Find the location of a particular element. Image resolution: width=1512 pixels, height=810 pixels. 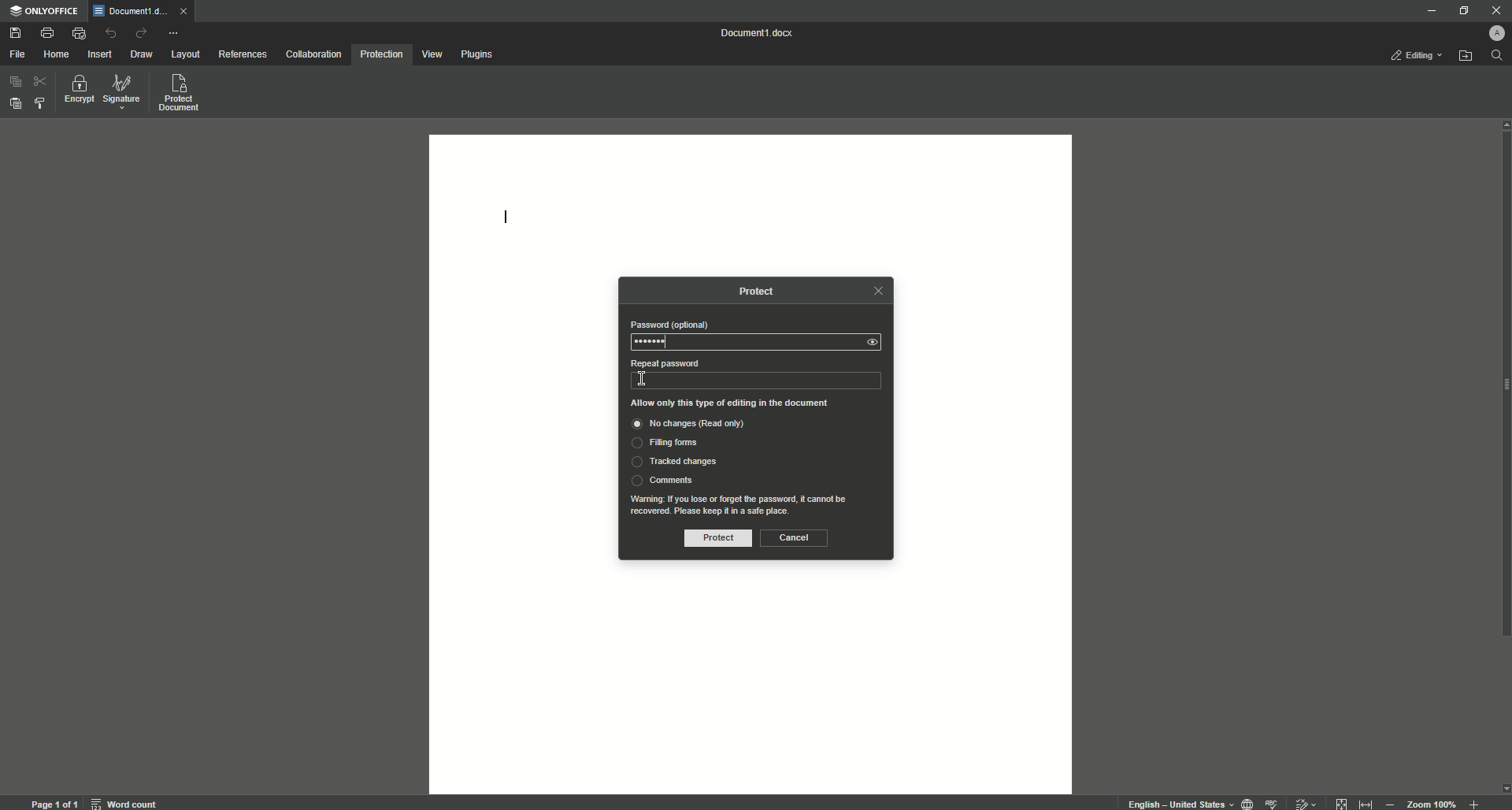

Draw is located at coordinates (143, 54).